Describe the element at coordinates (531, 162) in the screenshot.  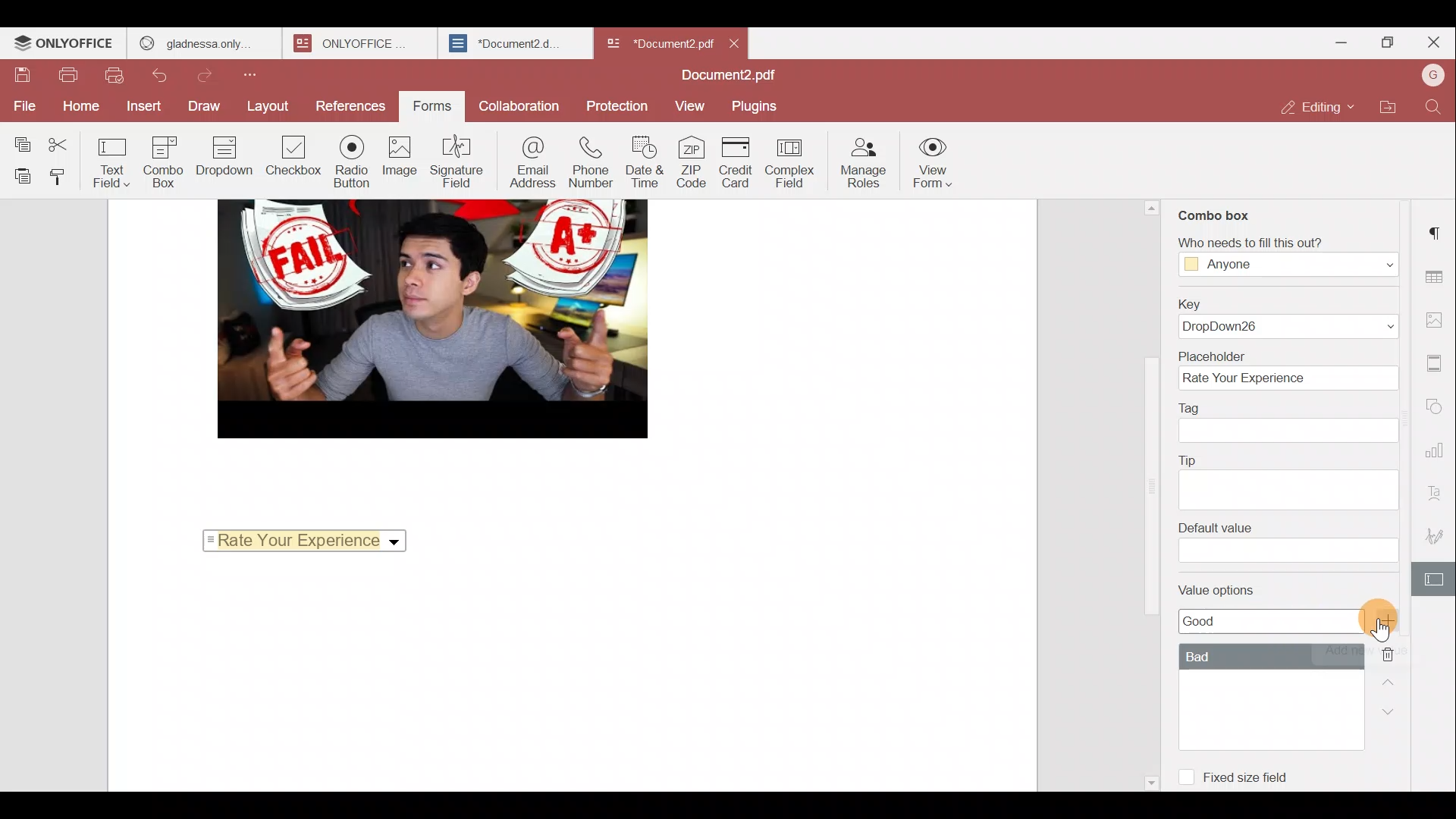
I see `Email address` at that location.